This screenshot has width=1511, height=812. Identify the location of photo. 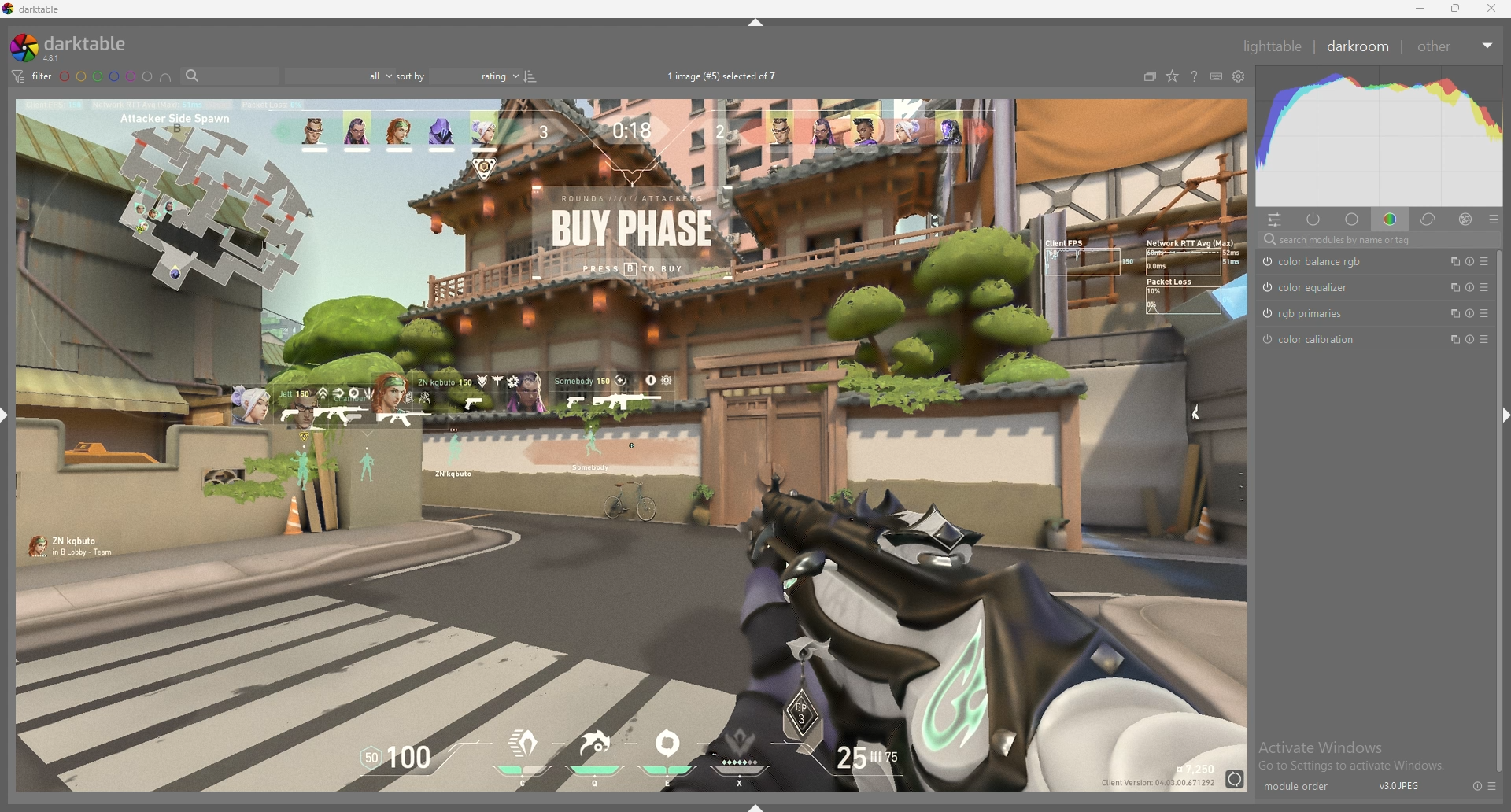
(630, 443).